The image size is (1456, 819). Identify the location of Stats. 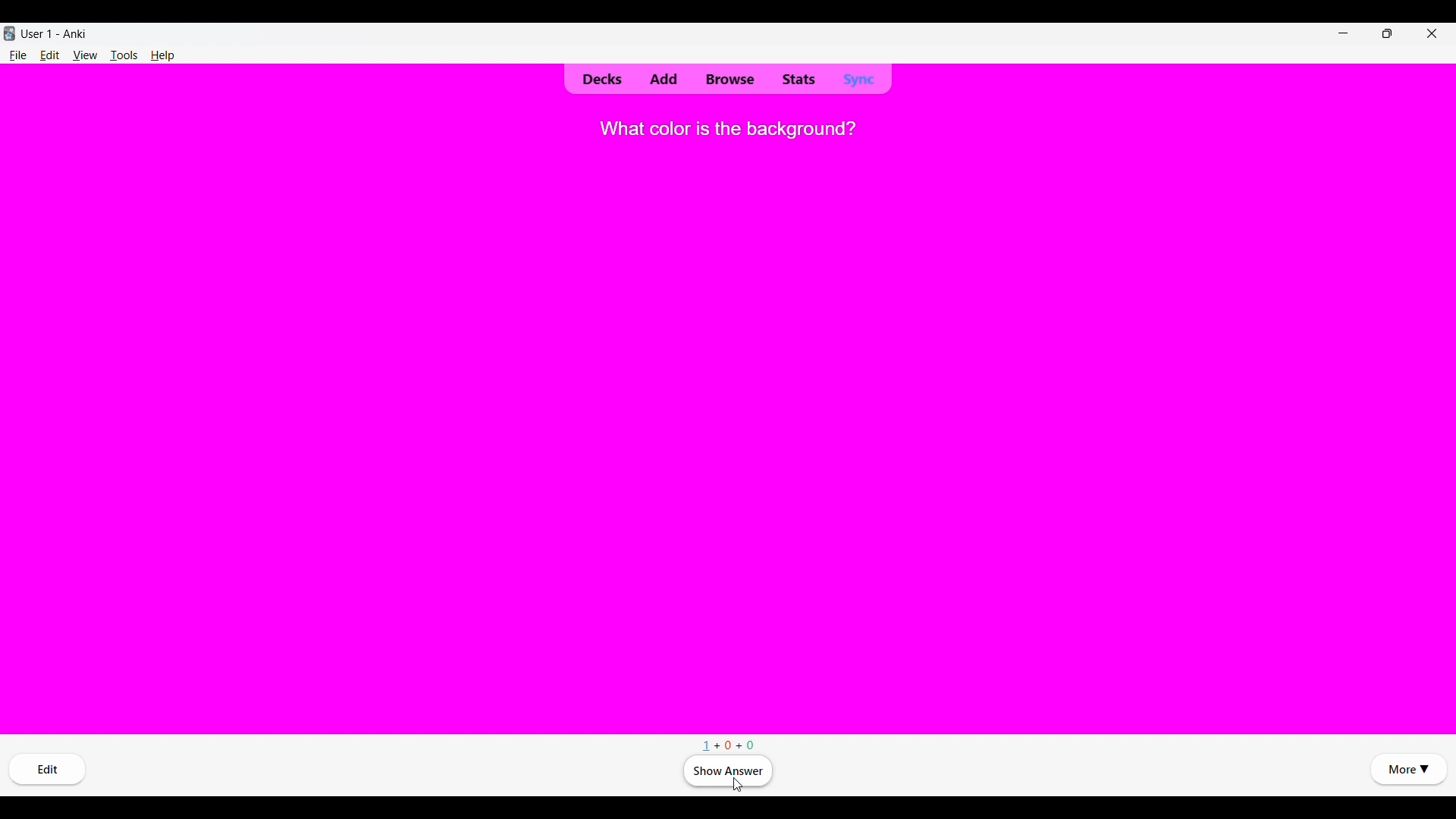
(795, 78).